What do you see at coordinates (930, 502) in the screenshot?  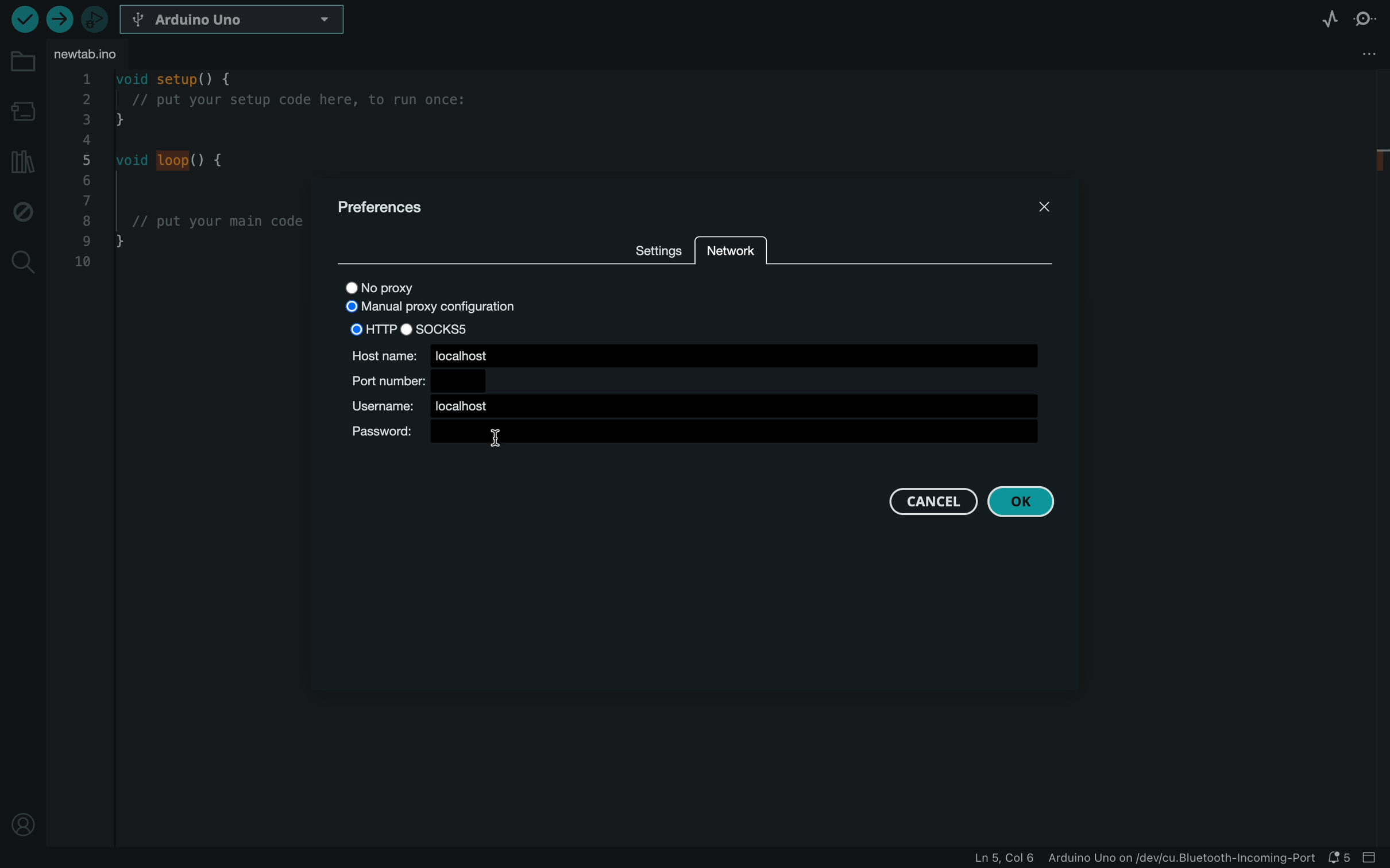 I see `cancel` at bounding box center [930, 502].